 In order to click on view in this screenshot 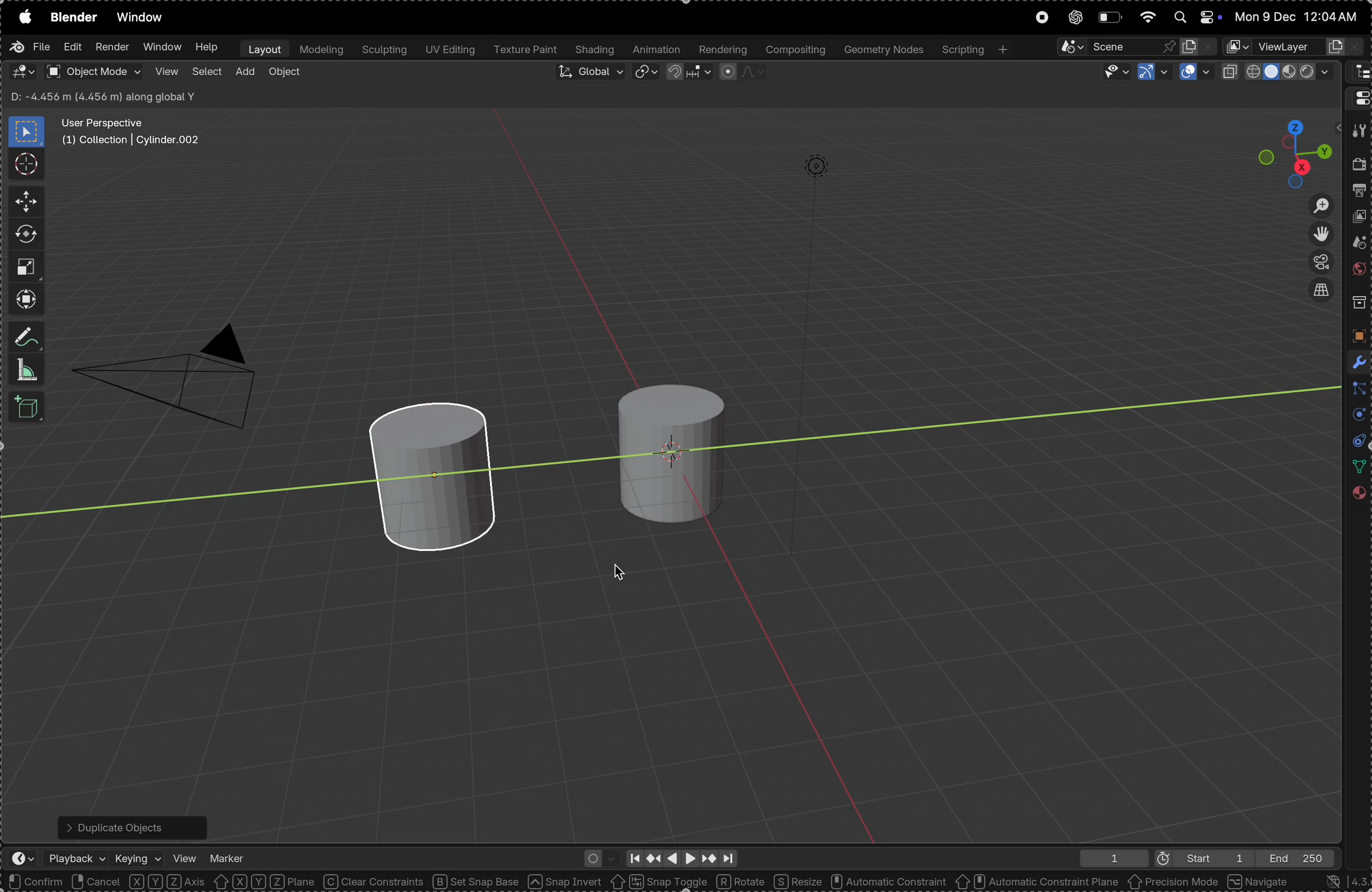, I will do `click(165, 72)`.